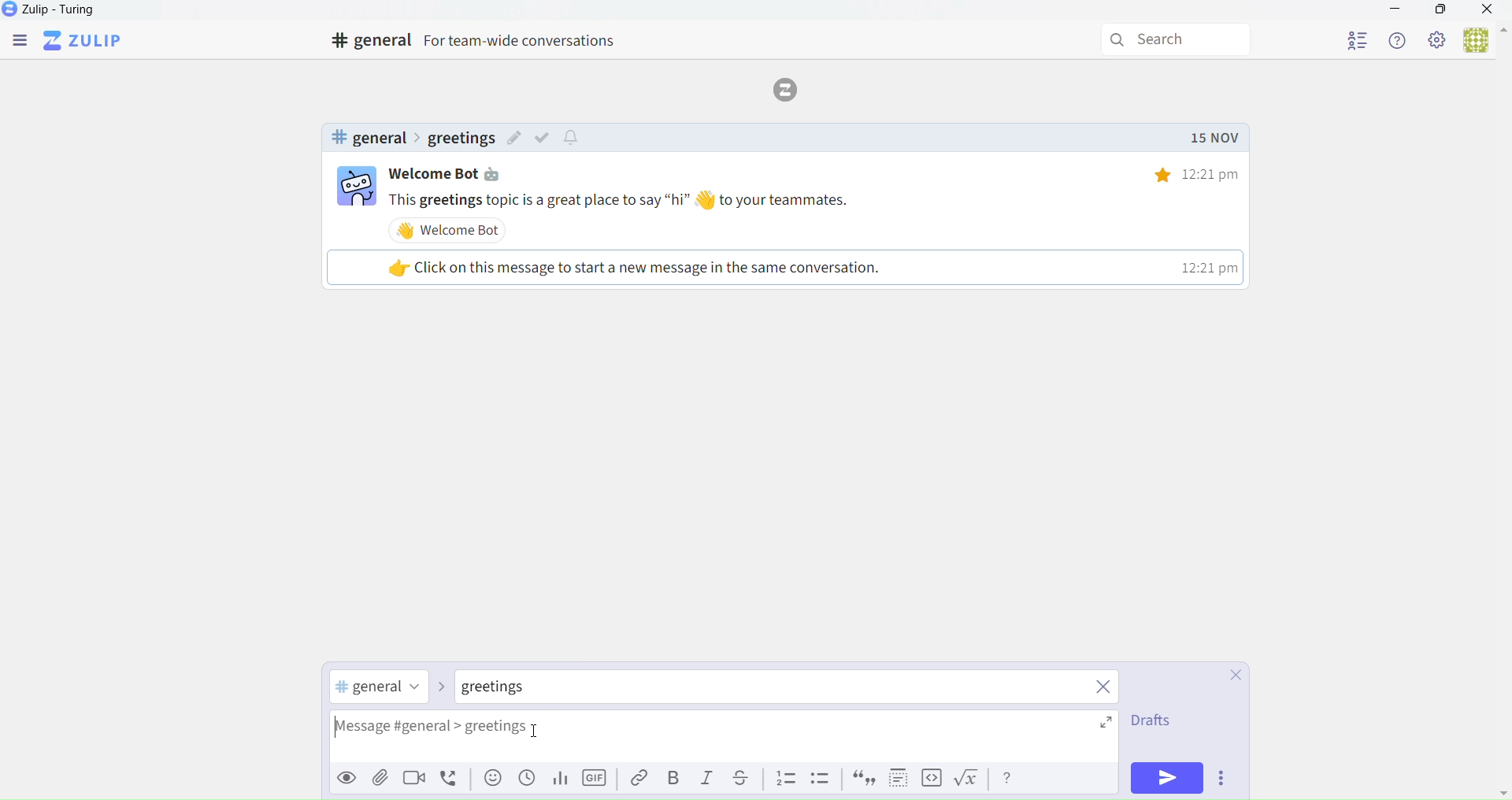  What do you see at coordinates (1179, 40) in the screenshot?
I see `Search` at bounding box center [1179, 40].